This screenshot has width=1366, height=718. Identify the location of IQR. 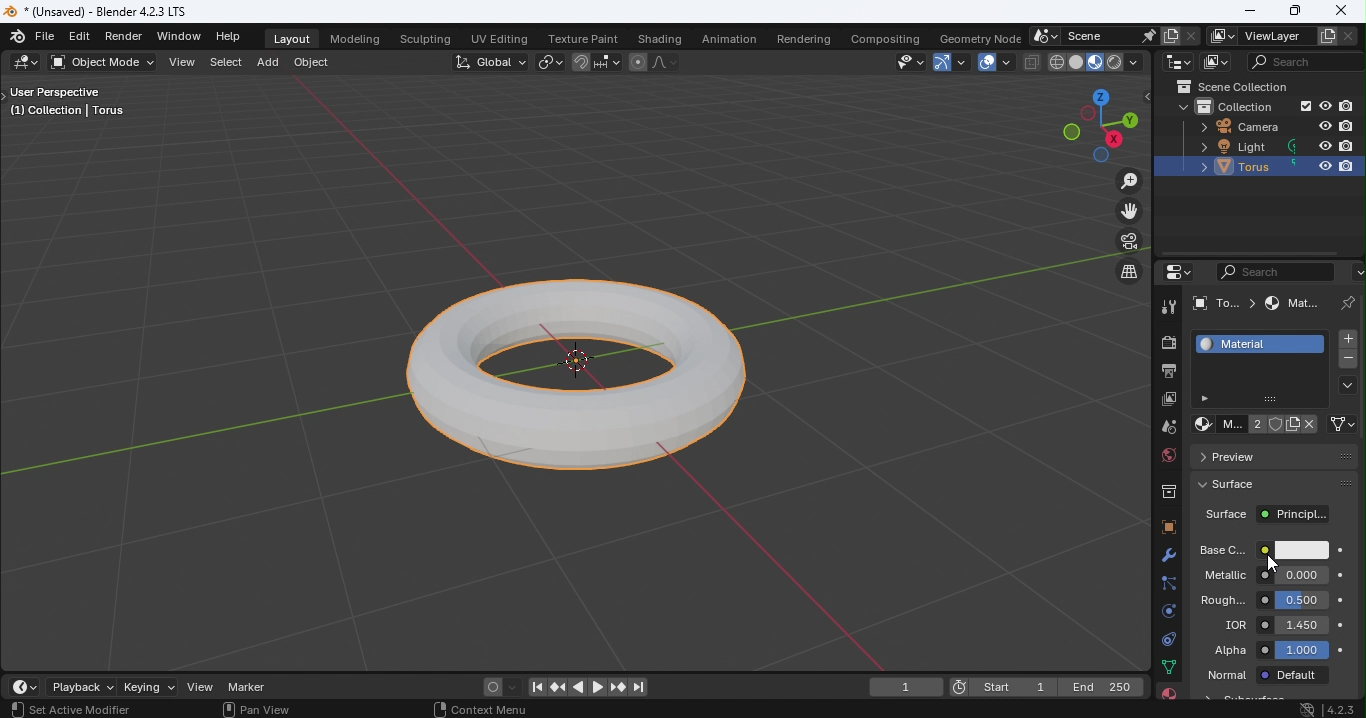
(1269, 626).